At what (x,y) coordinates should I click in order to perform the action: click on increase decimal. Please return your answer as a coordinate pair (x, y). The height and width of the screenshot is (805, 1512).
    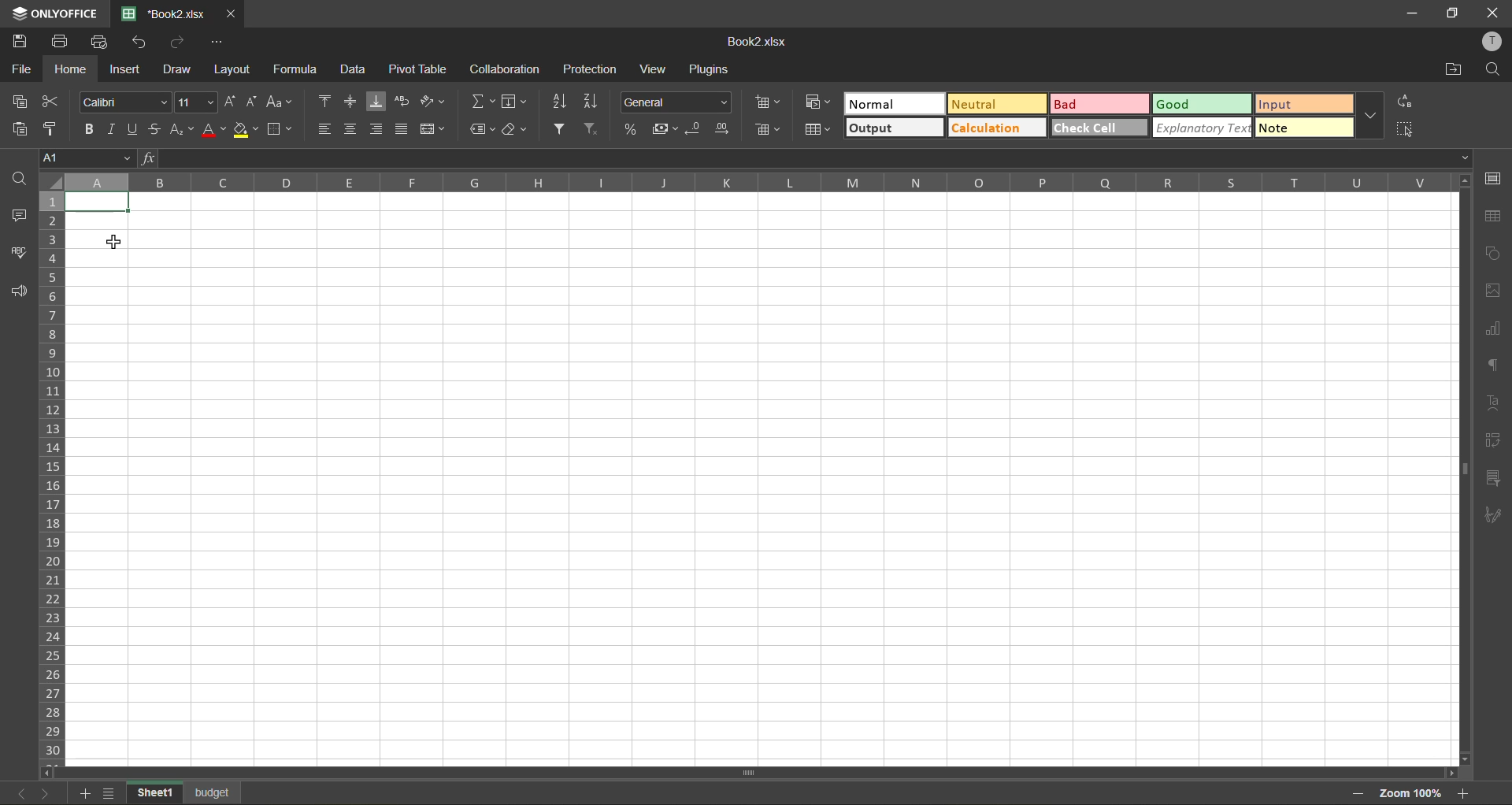
    Looking at the image, I should click on (727, 130).